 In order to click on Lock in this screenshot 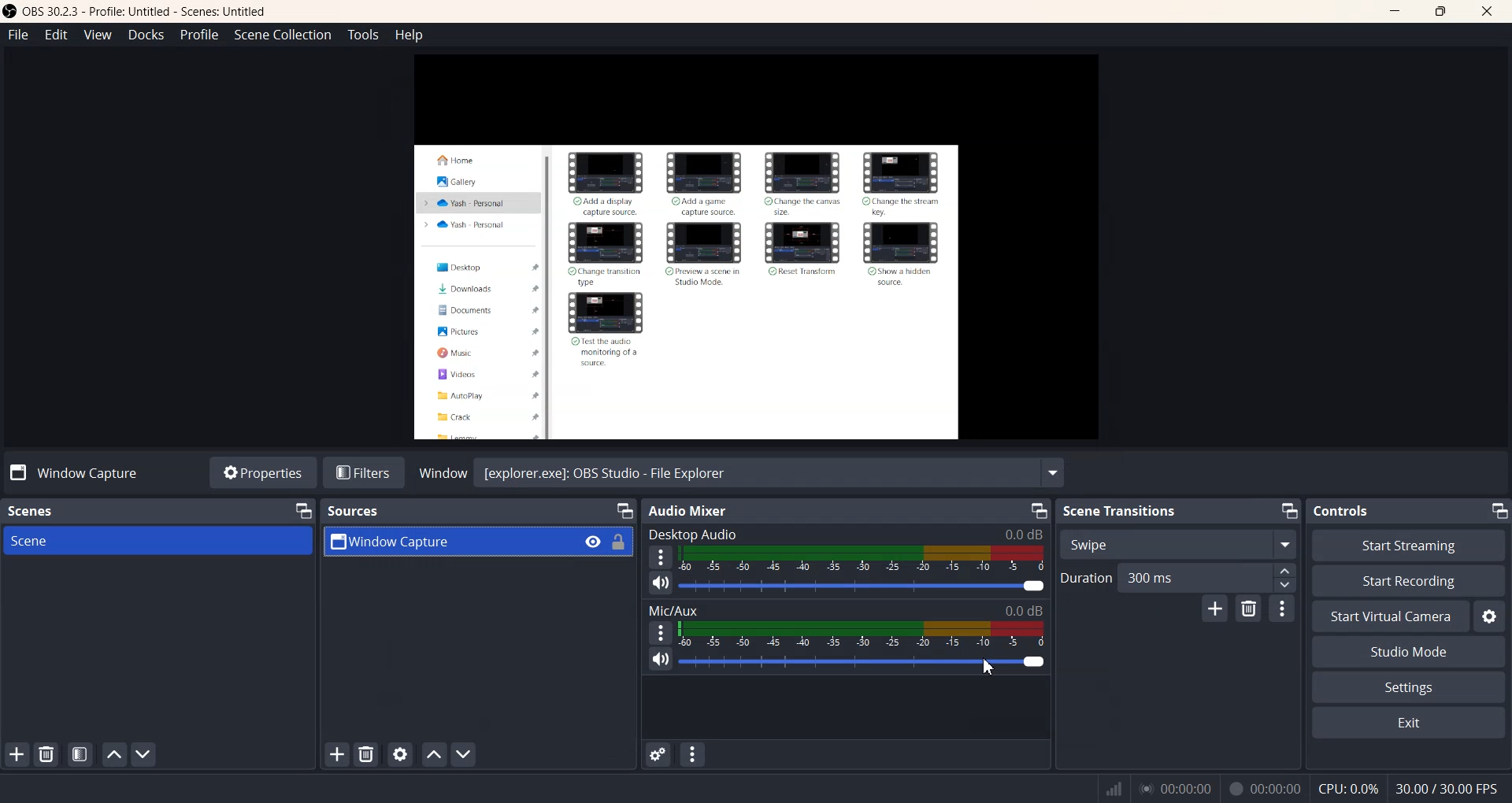, I will do `click(620, 542)`.